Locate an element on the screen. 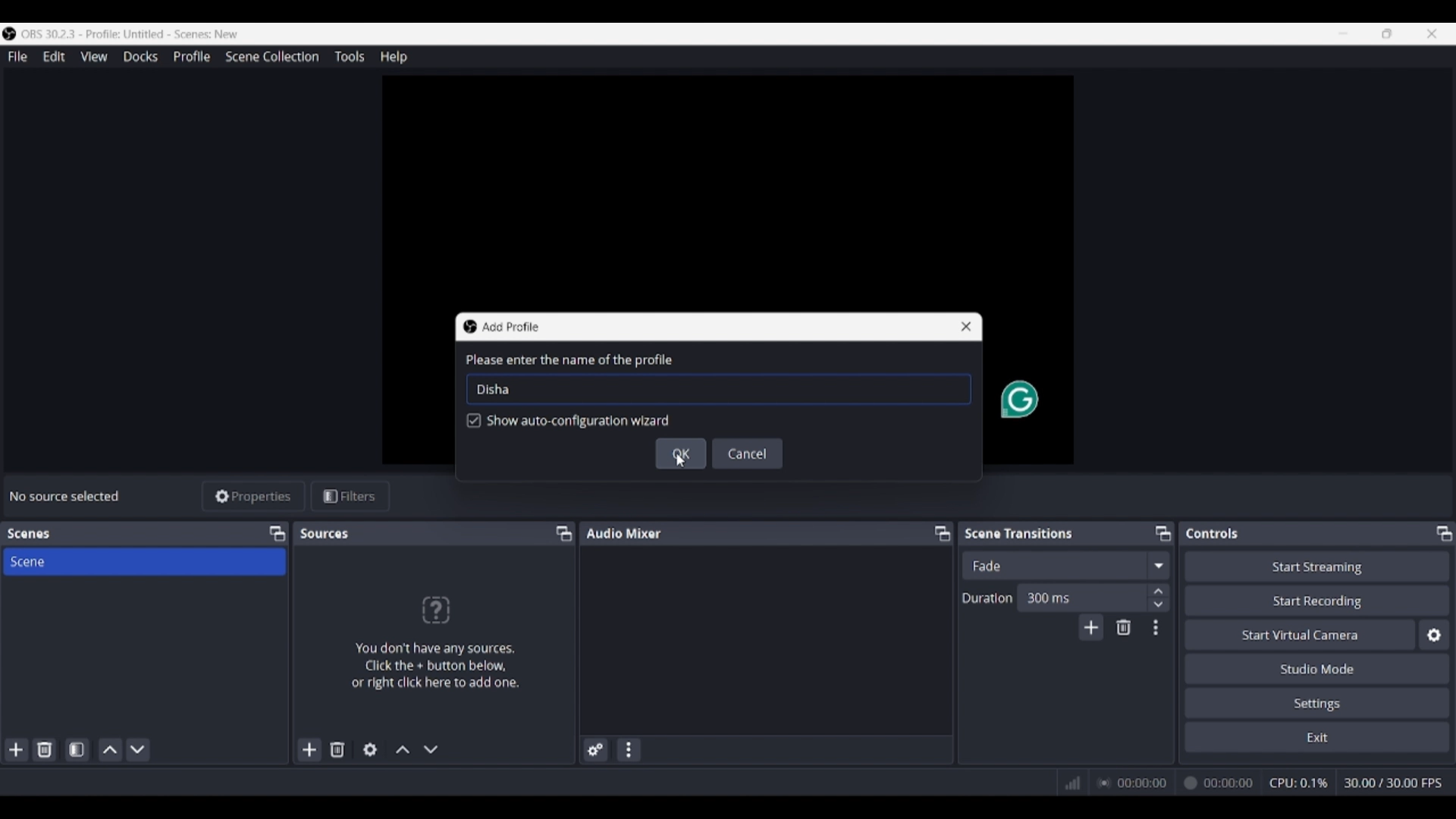  Profile name typed in is located at coordinates (493, 388).